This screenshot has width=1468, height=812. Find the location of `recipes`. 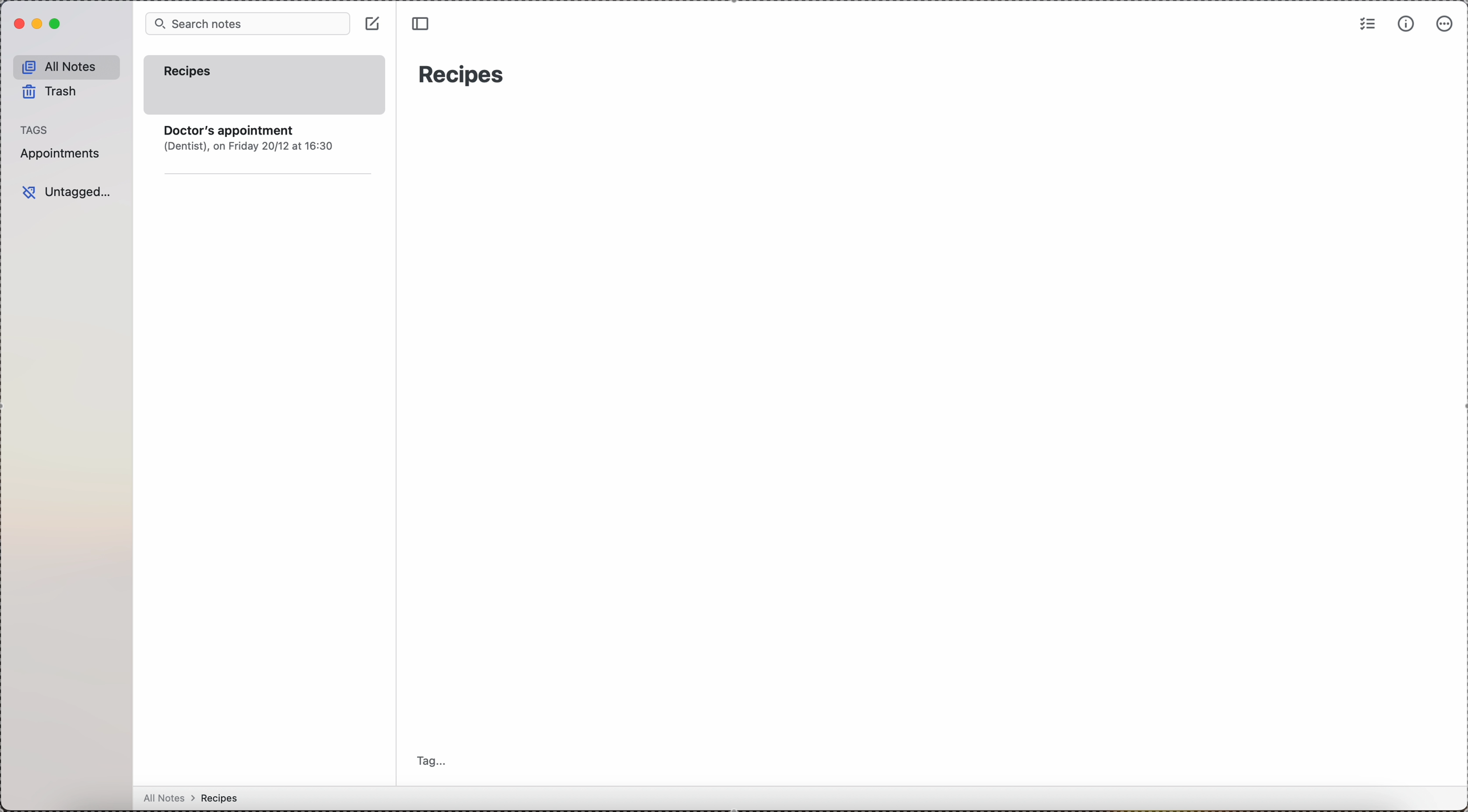

recipes is located at coordinates (465, 75).